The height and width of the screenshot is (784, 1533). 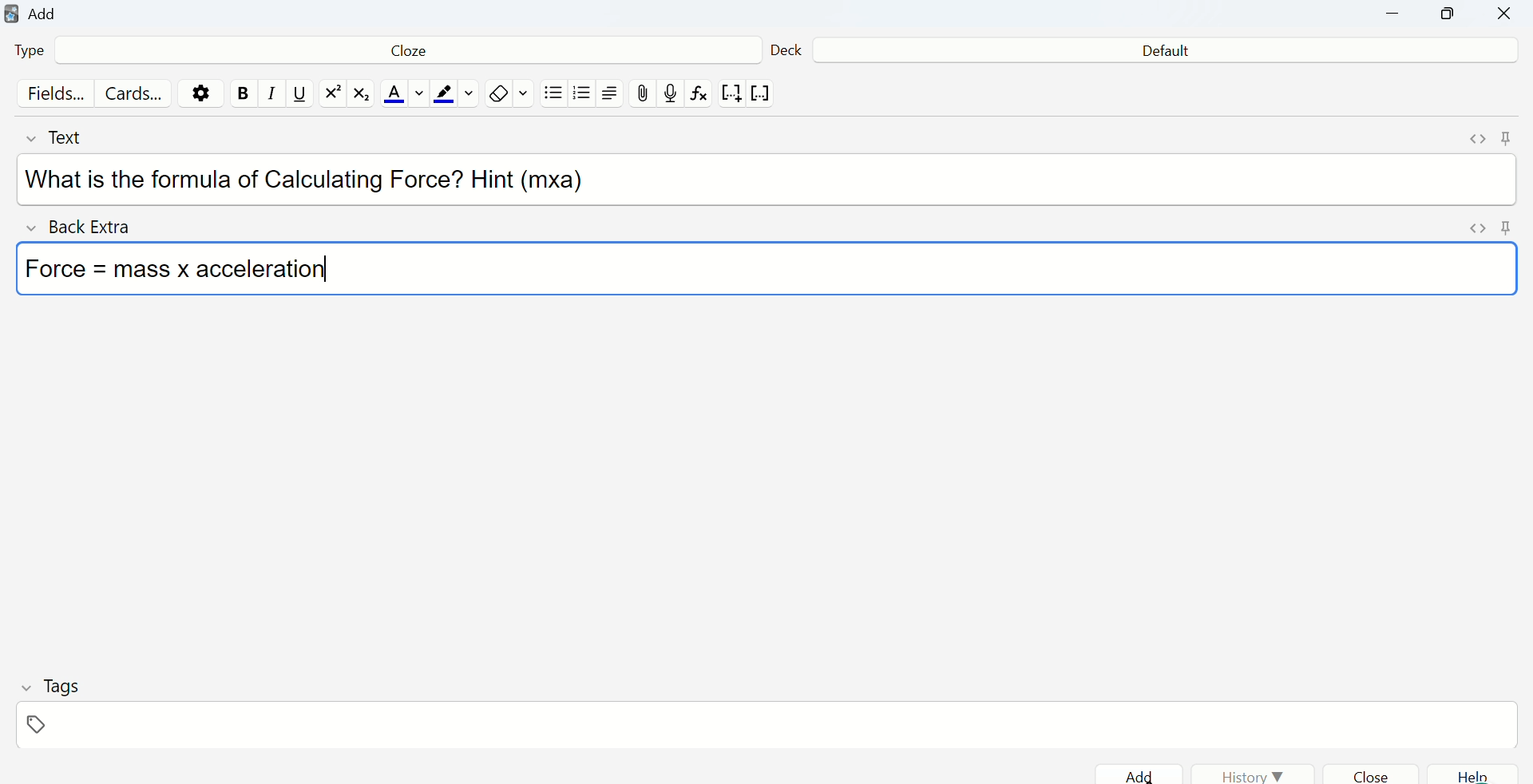 I want to click on Maximize, so click(x=1449, y=18).